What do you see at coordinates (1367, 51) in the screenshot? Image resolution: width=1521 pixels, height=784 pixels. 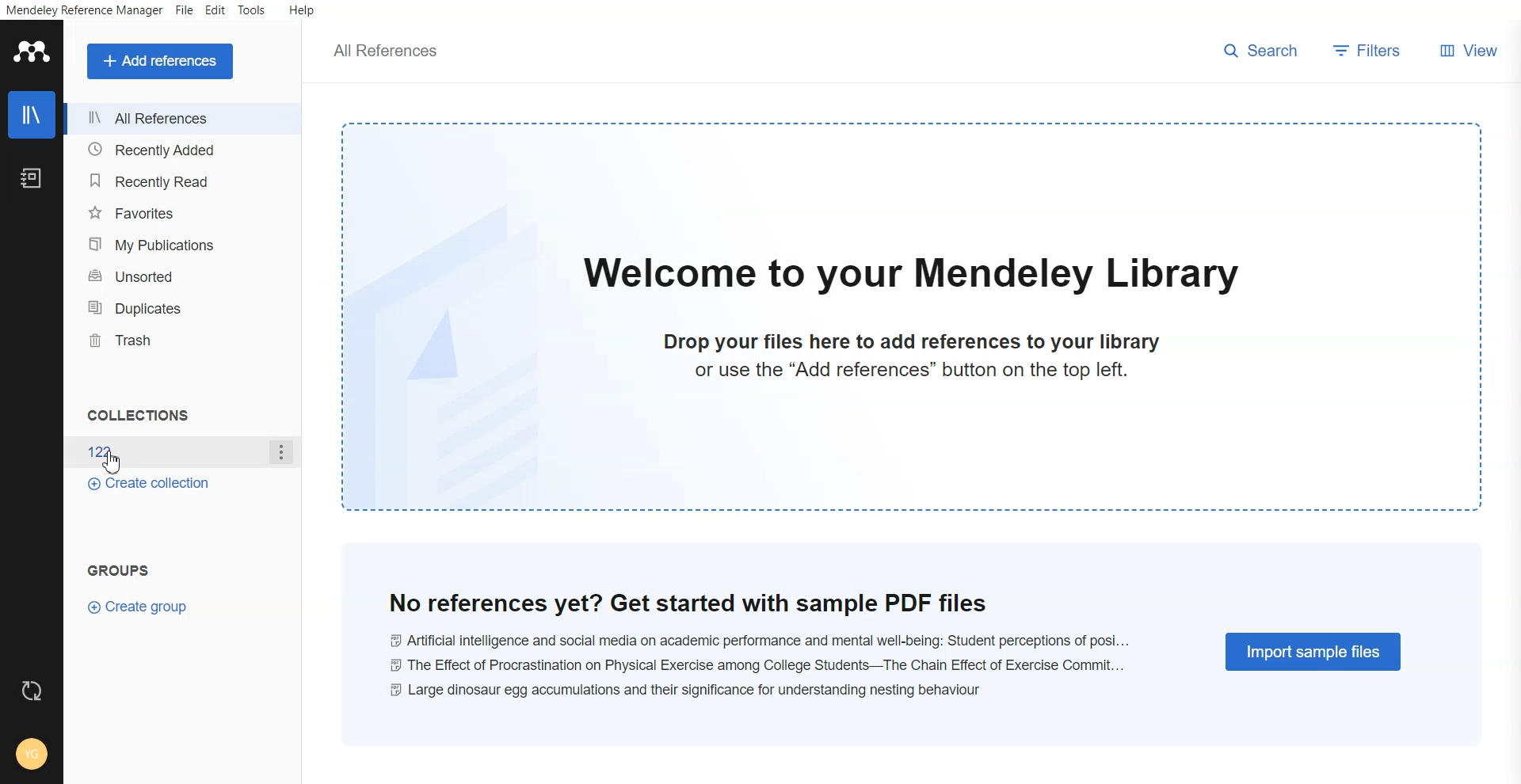 I see `Filters` at bounding box center [1367, 51].